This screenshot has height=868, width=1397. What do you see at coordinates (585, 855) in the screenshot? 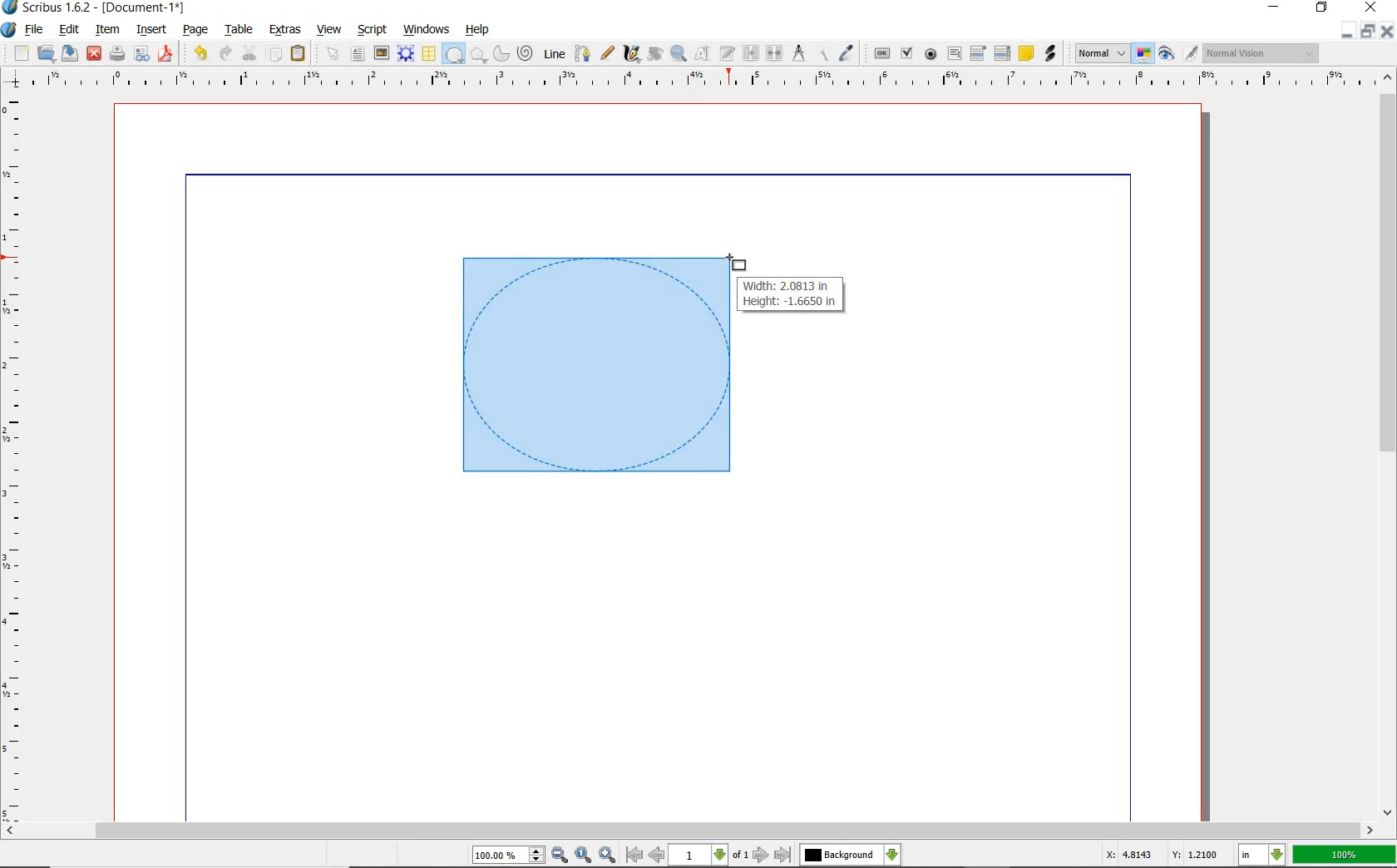
I see `zoom to` at bounding box center [585, 855].